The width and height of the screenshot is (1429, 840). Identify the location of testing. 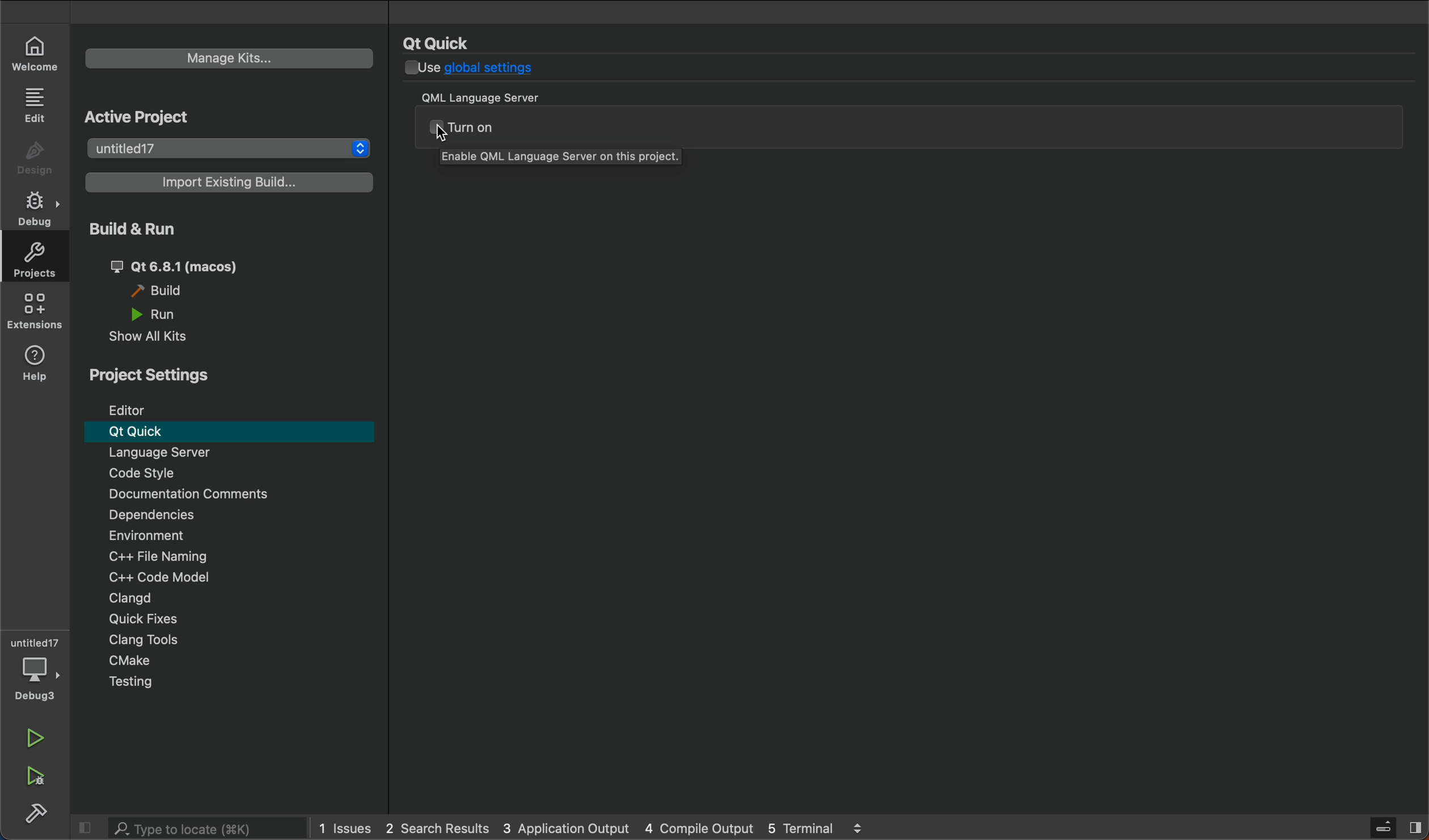
(235, 682).